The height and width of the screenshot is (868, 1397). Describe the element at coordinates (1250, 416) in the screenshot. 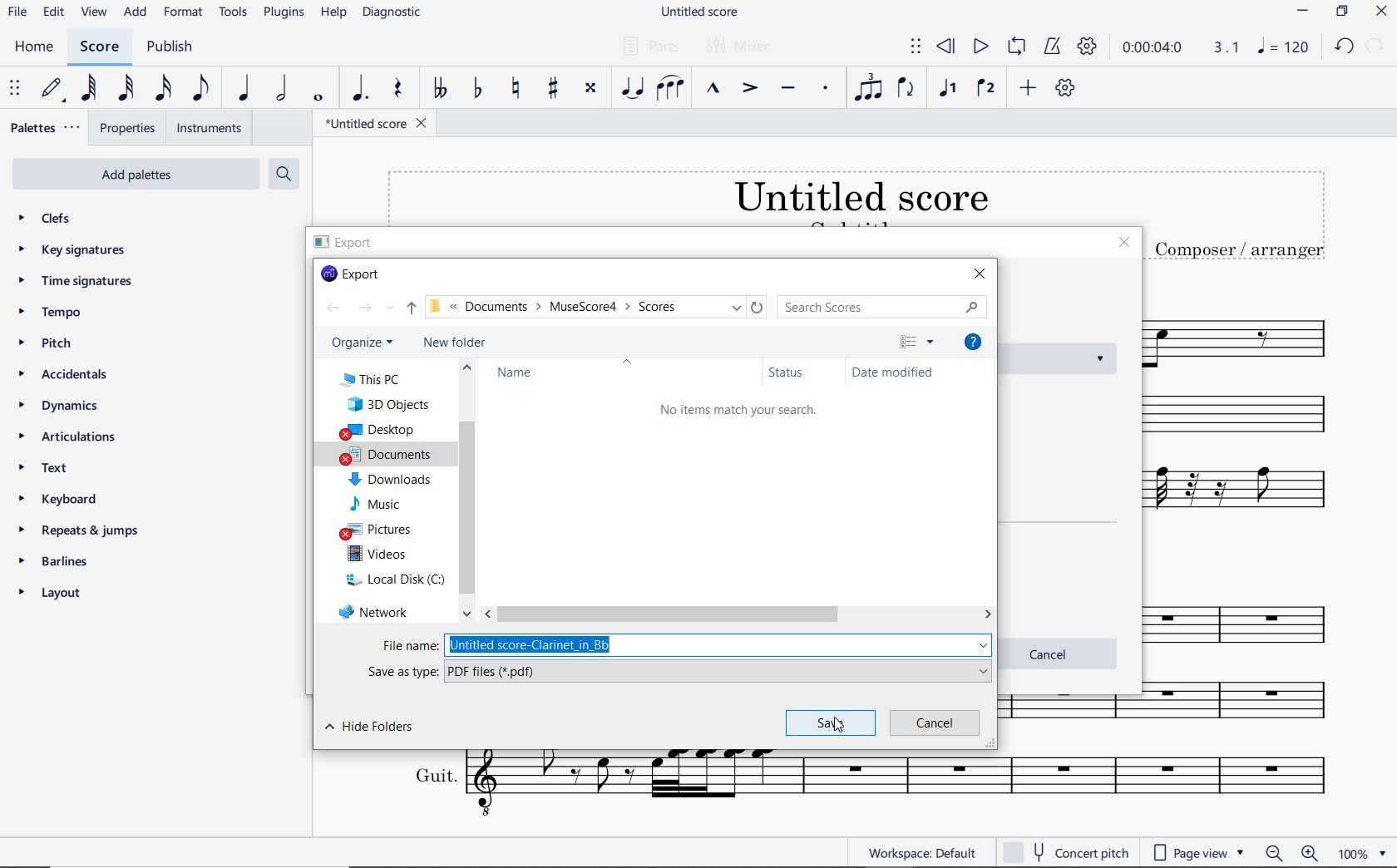

I see `Clarinet in b` at that location.